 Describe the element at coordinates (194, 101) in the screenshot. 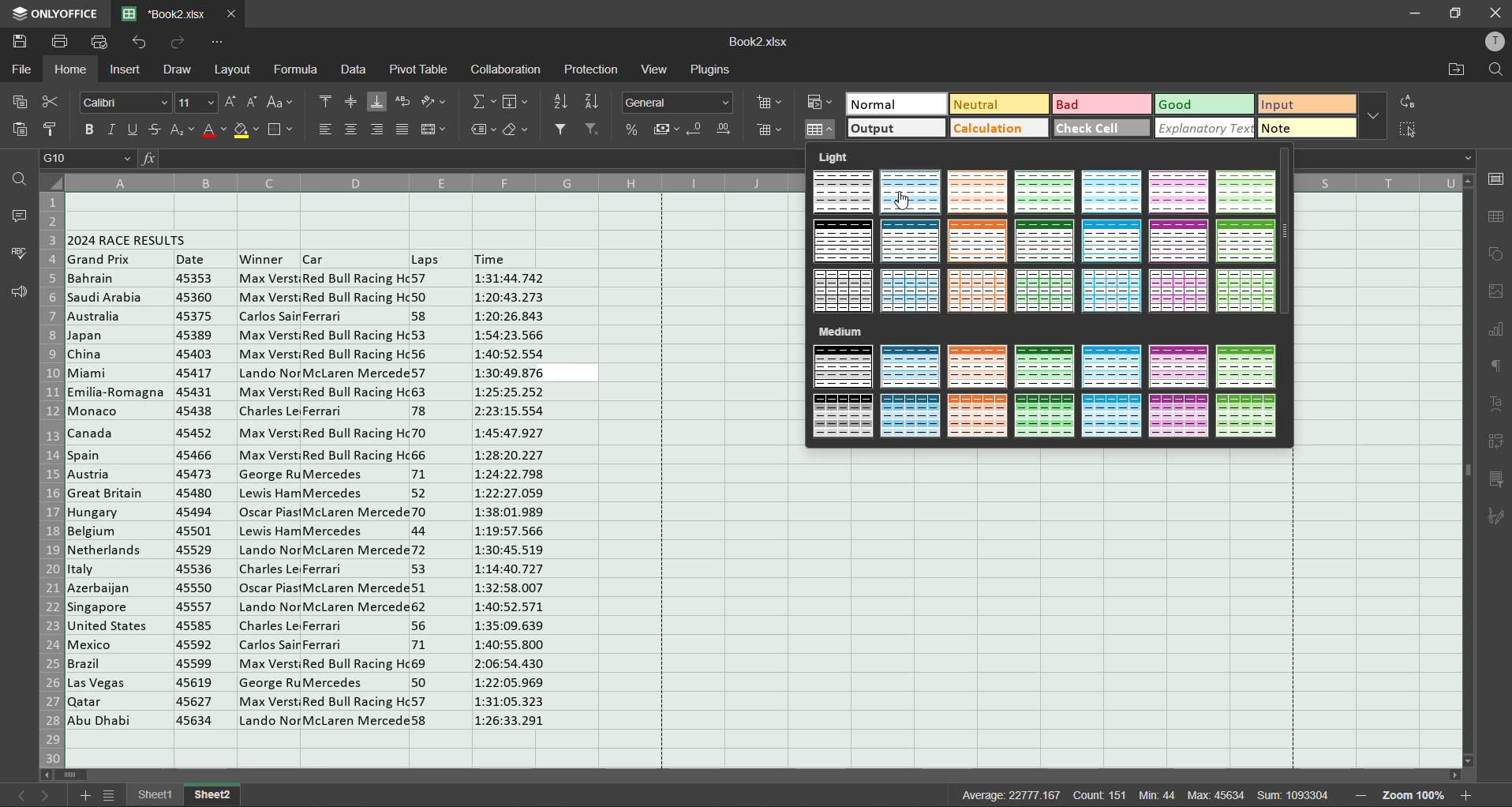

I see `font size` at that location.